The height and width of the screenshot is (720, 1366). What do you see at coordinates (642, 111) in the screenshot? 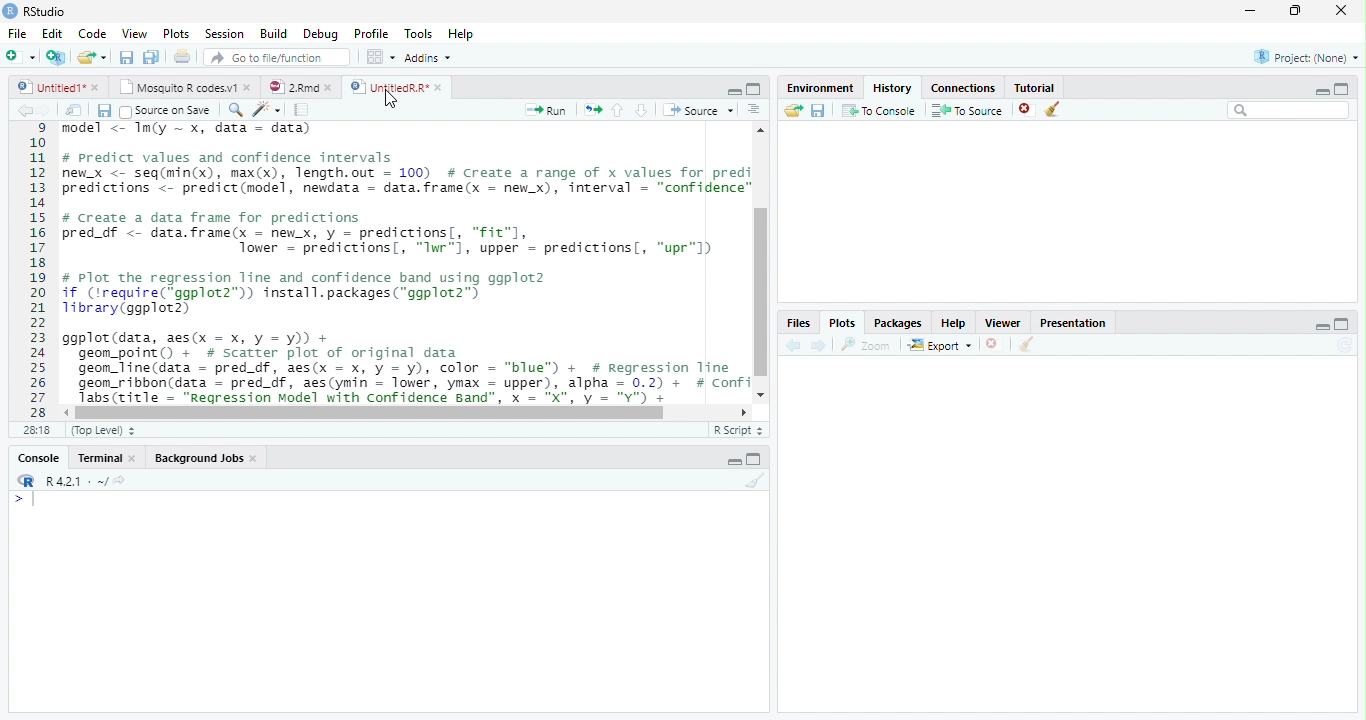
I see `Go to the next section/chunk` at bounding box center [642, 111].